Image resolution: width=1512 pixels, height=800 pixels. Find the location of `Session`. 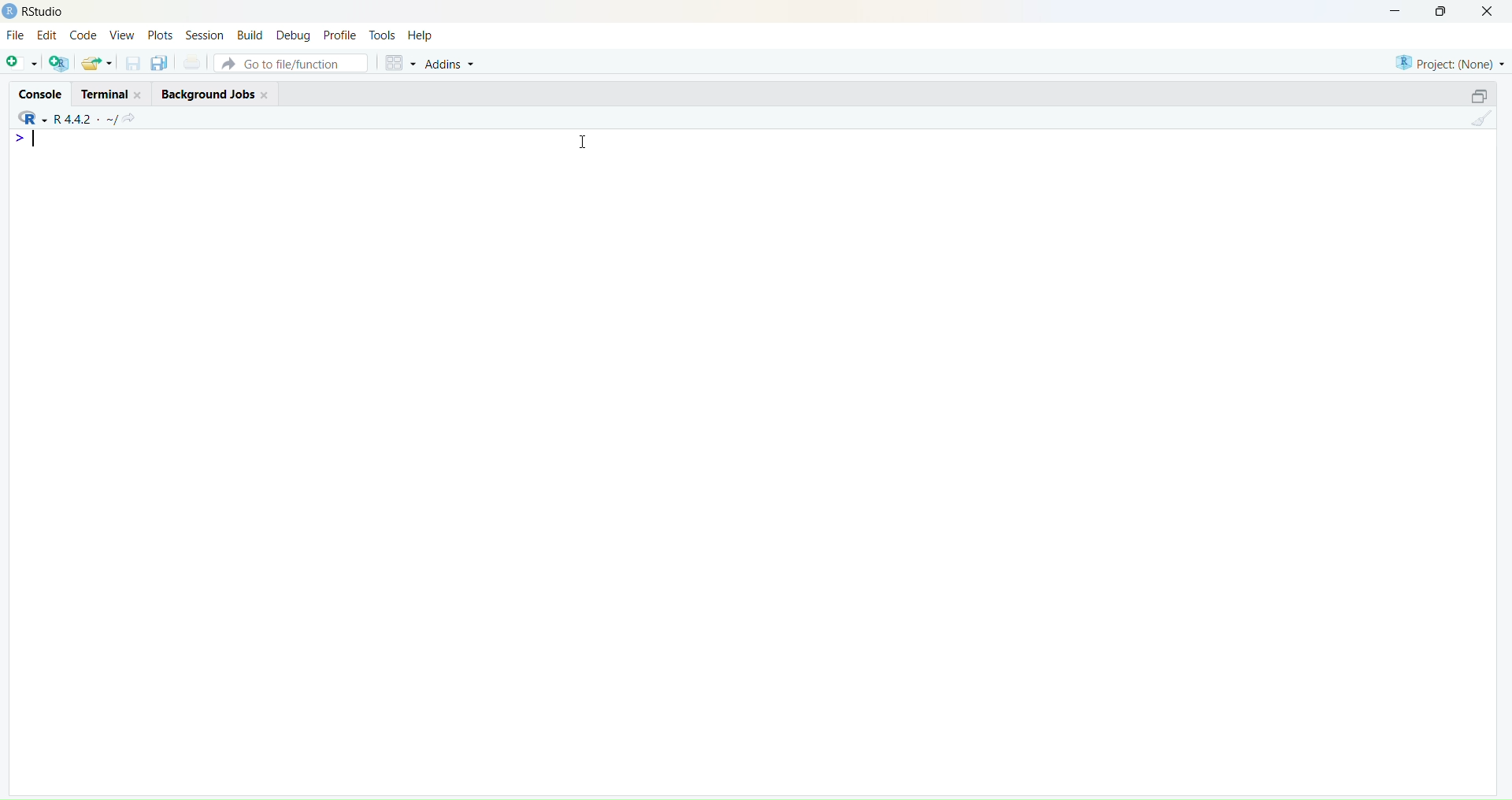

Session is located at coordinates (205, 35).